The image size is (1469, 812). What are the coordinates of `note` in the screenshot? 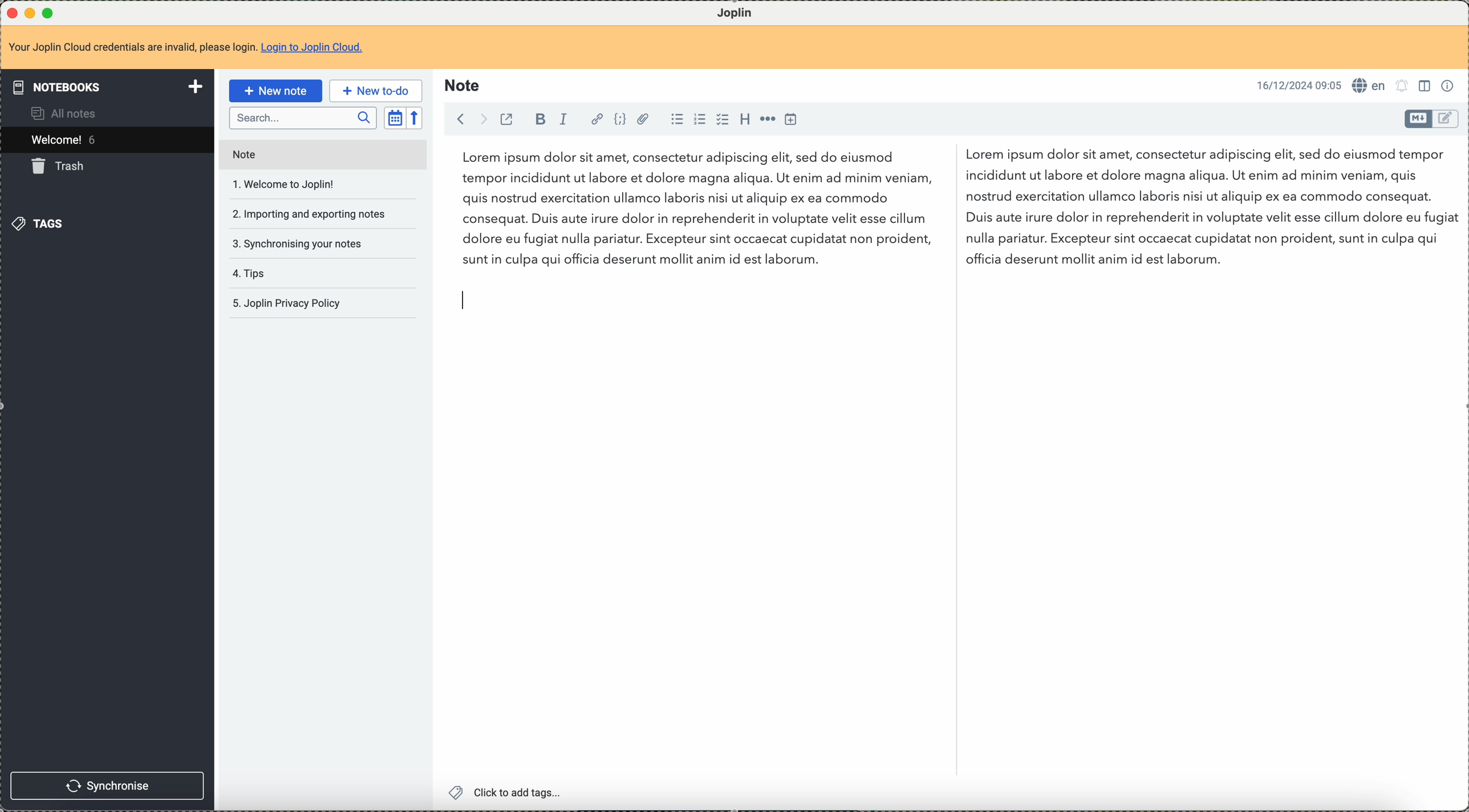 It's located at (464, 87).